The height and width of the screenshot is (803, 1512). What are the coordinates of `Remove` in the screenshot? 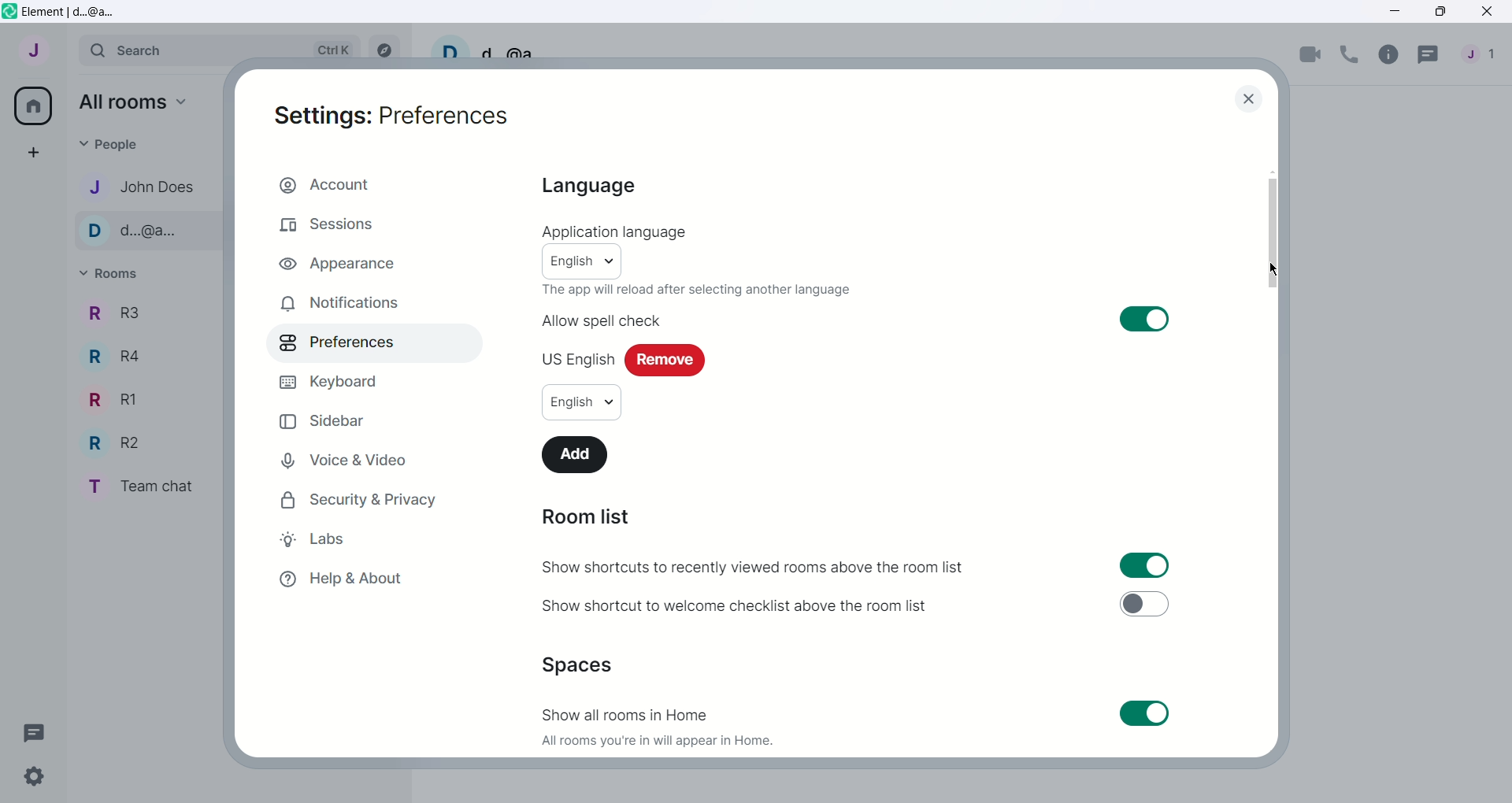 It's located at (665, 361).